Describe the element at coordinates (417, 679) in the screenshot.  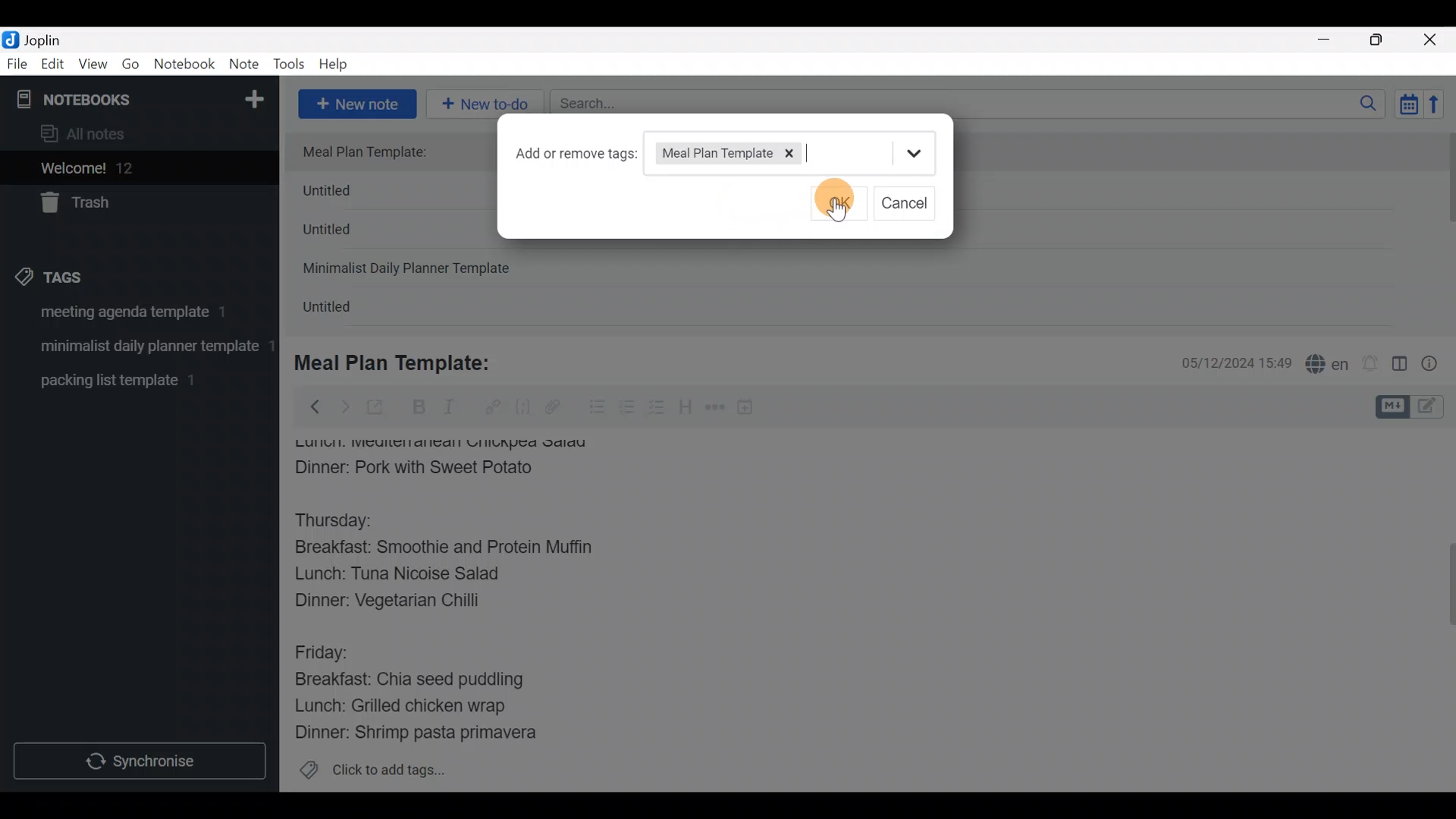
I see `Breakfast: Chia seed puddling` at that location.